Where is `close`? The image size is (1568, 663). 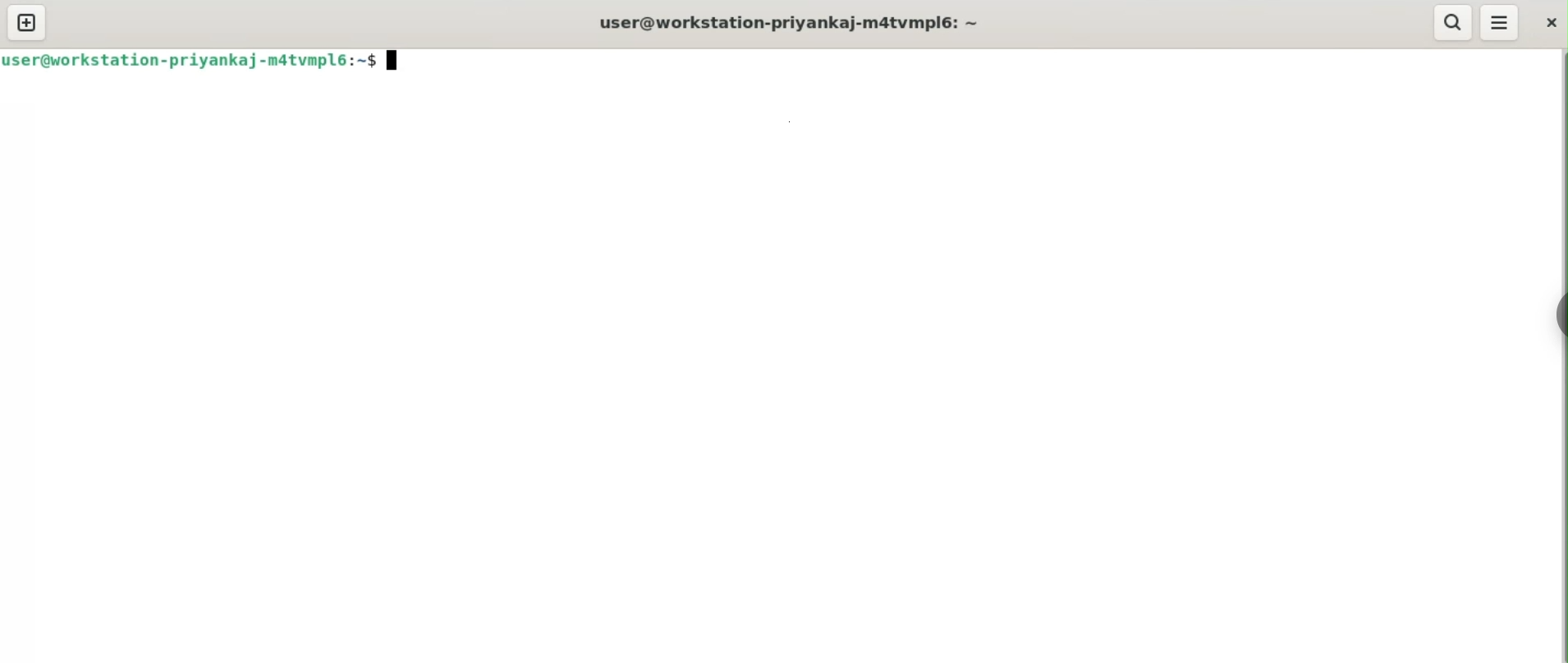
close is located at coordinates (1549, 22).